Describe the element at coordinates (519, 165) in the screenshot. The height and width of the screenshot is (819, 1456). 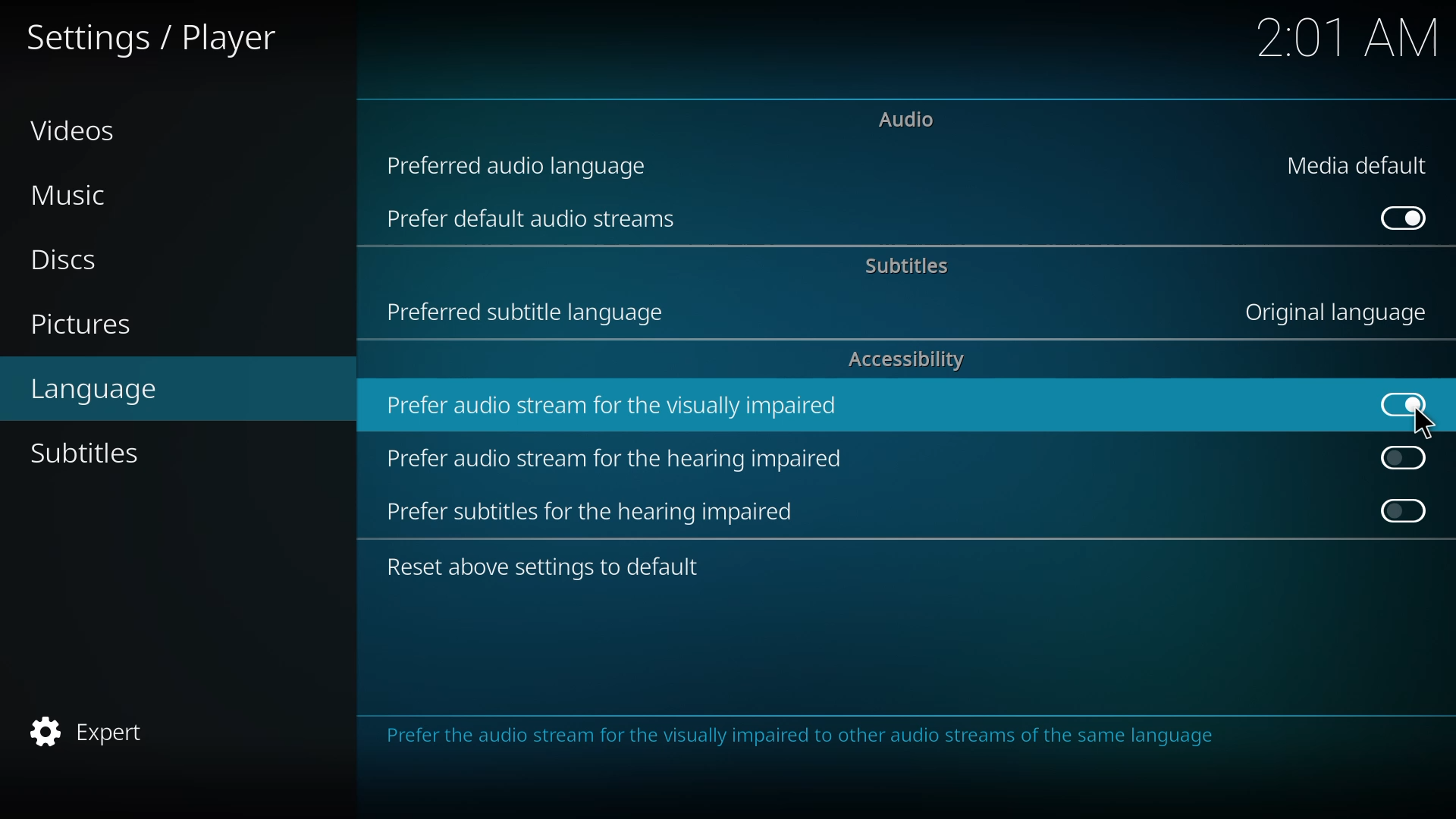
I see `preferred audio language` at that location.